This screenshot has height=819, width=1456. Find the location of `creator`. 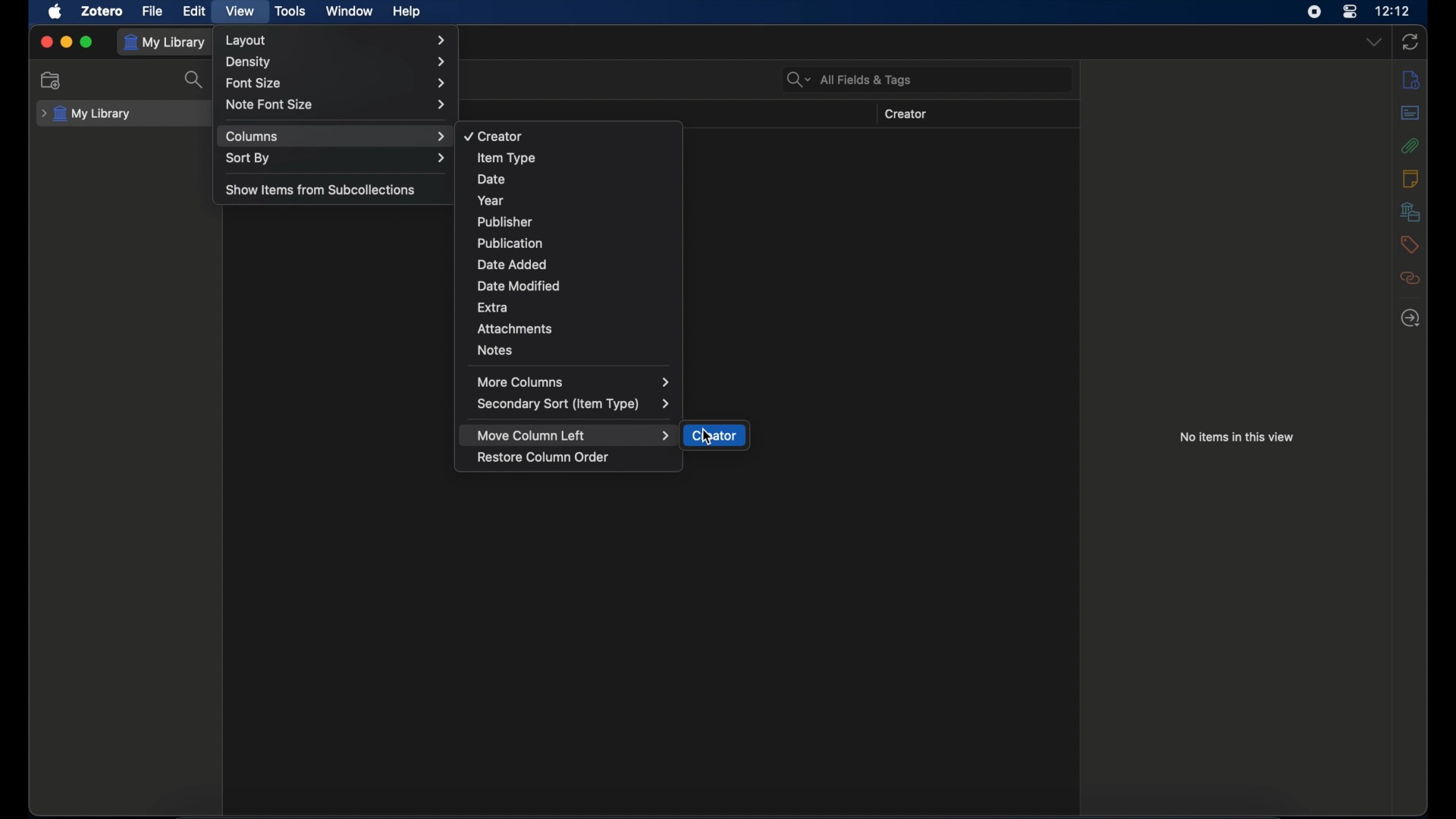

creator is located at coordinates (715, 436).